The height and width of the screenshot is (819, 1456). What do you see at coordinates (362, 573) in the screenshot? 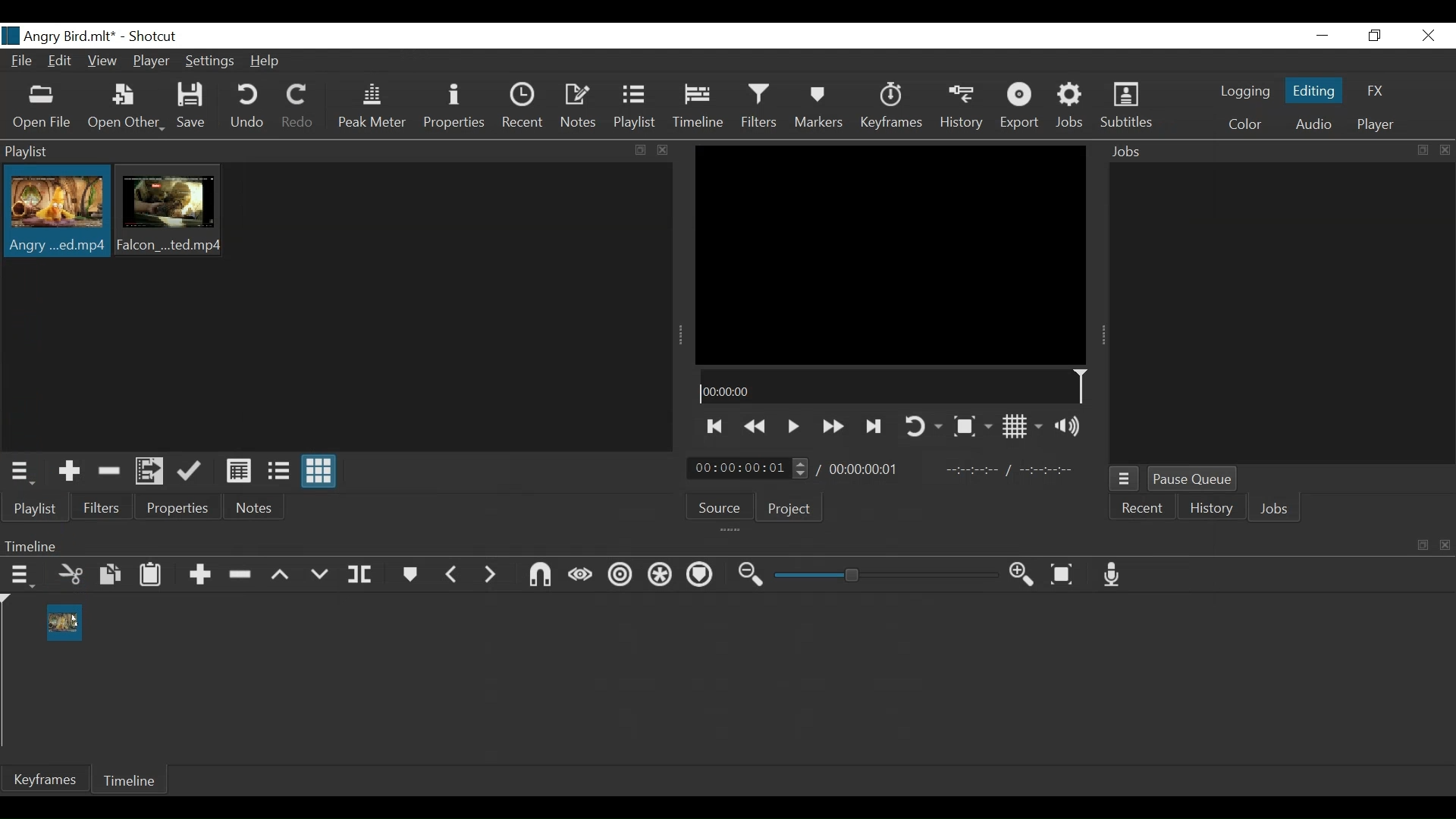
I see `Split at playhead` at bounding box center [362, 573].